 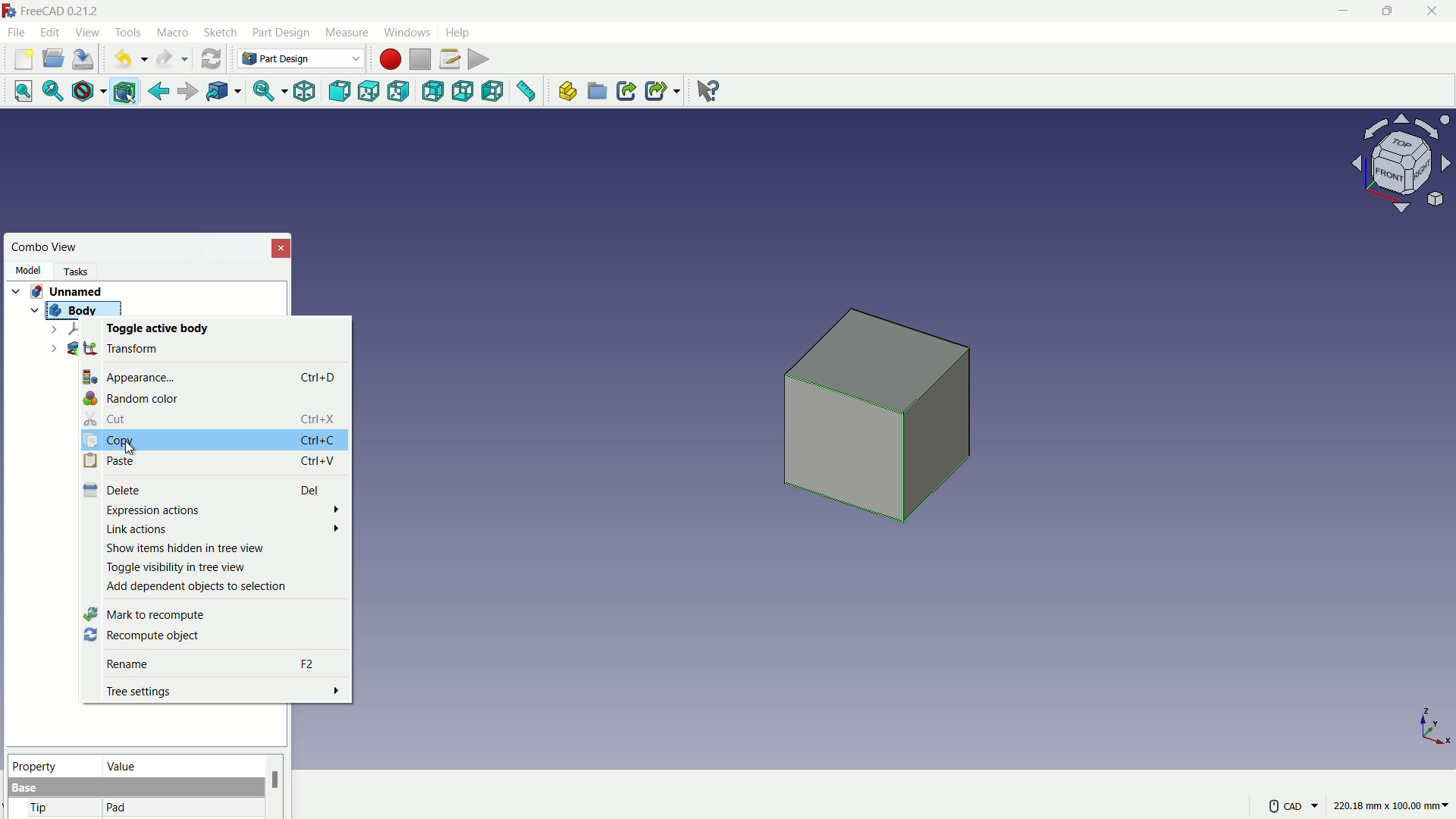 I want to click on create part, so click(x=566, y=92).